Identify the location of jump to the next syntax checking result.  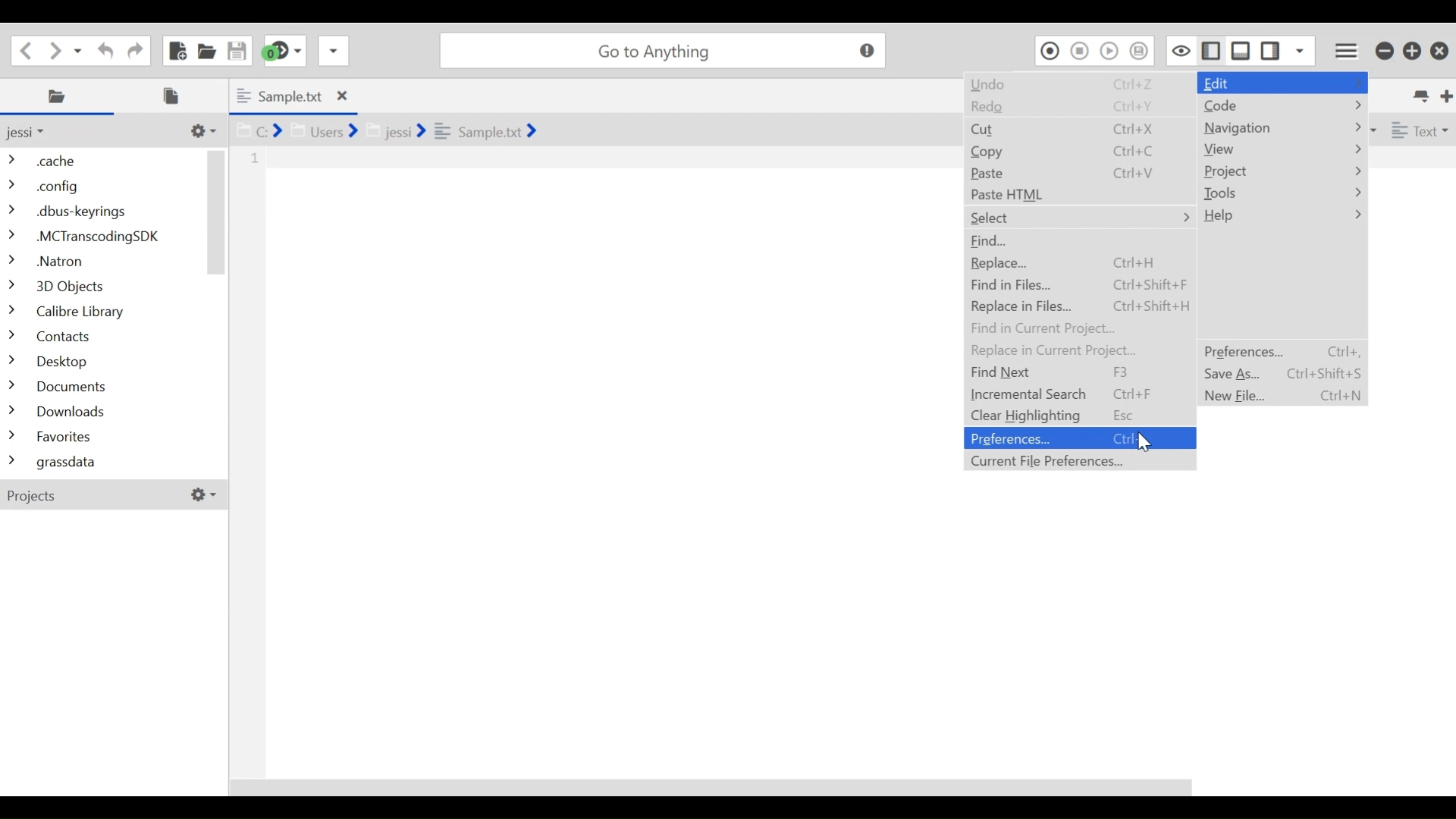
(284, 51).